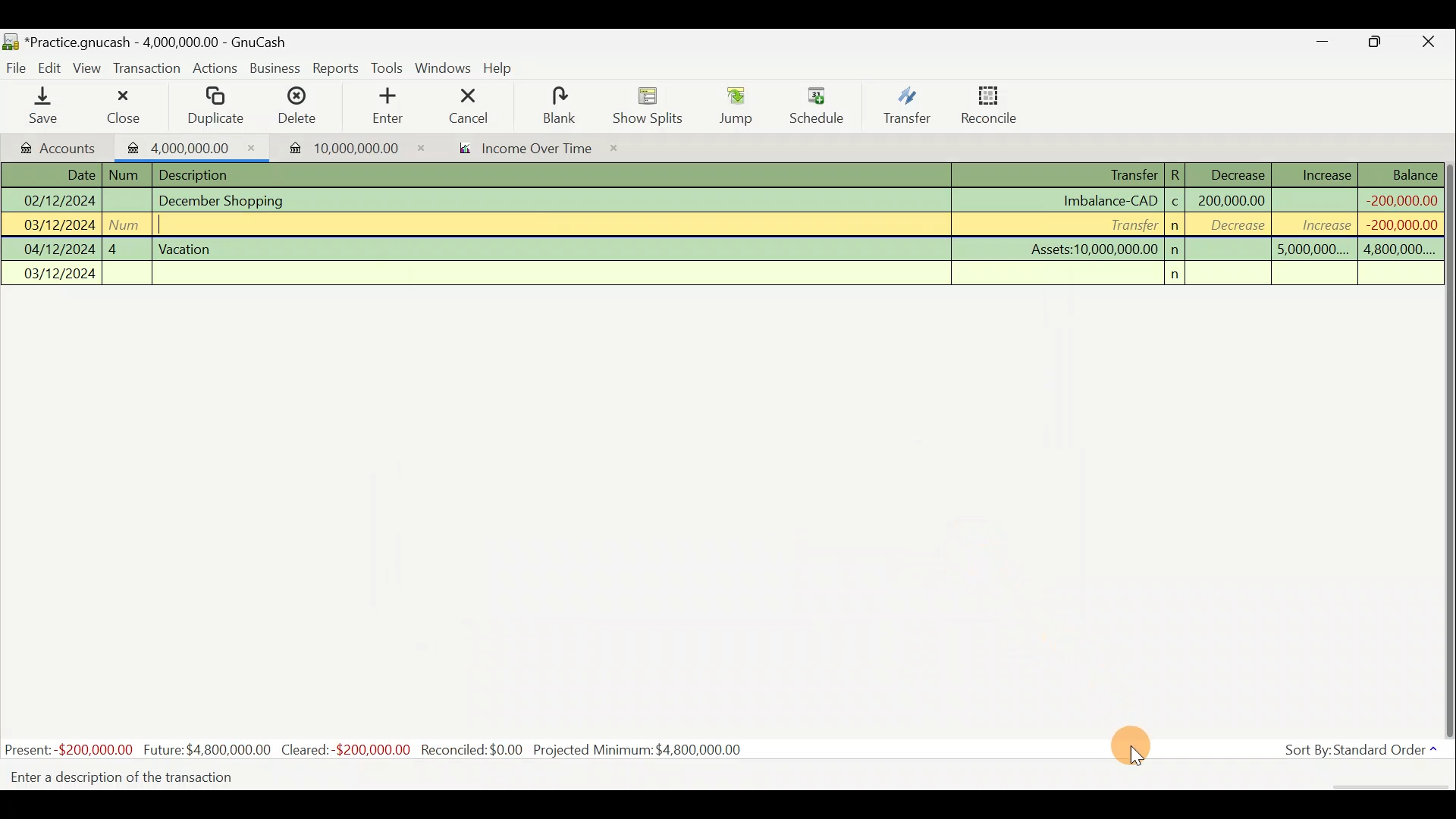 This screenshot has width=1456, height=819. Describe the element at coordinates (904, 108) in the screenshot. I see `Transfer` at that location.